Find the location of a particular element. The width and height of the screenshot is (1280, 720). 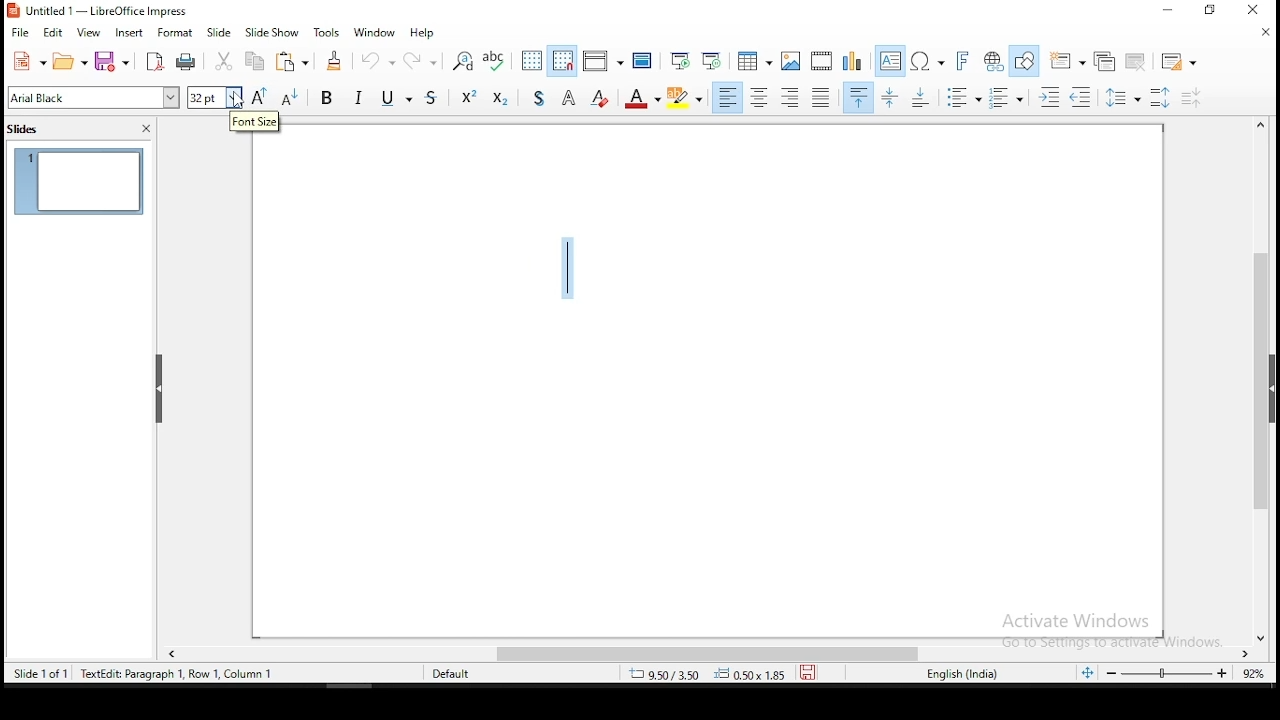

insert hyperlink is located at coordinates (991, 59).